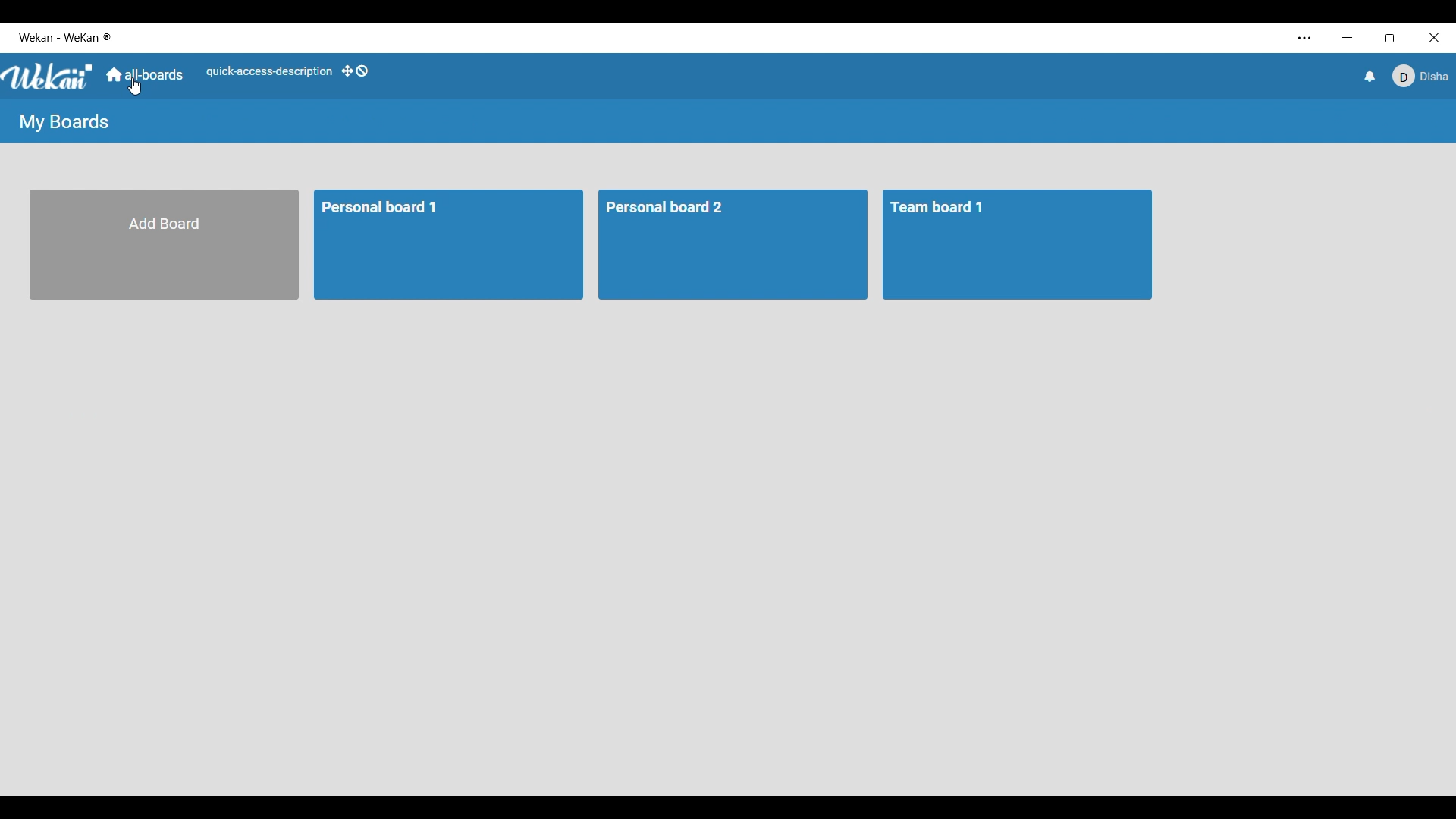 Image resolution: width=1456 pixels, height=819 pixels. Describe the element at coordinates (1370, 76) in the screenshot. I see `Notifications ` at that location.